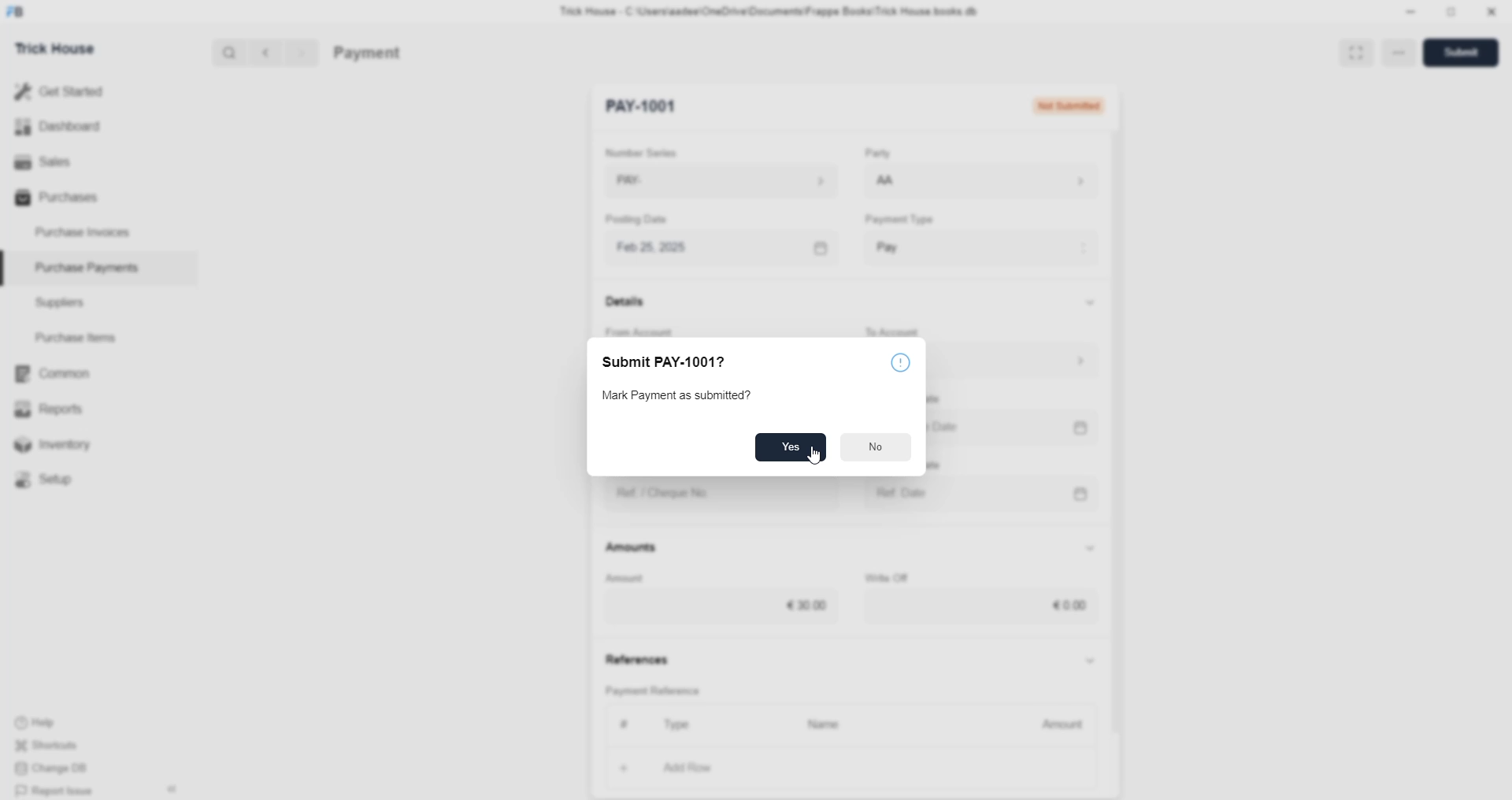 The image size is (1512, 800). What do you see at coordinates (50, 47) in the screenshot?
I see `Trick House` at bounding box center [50, 47].